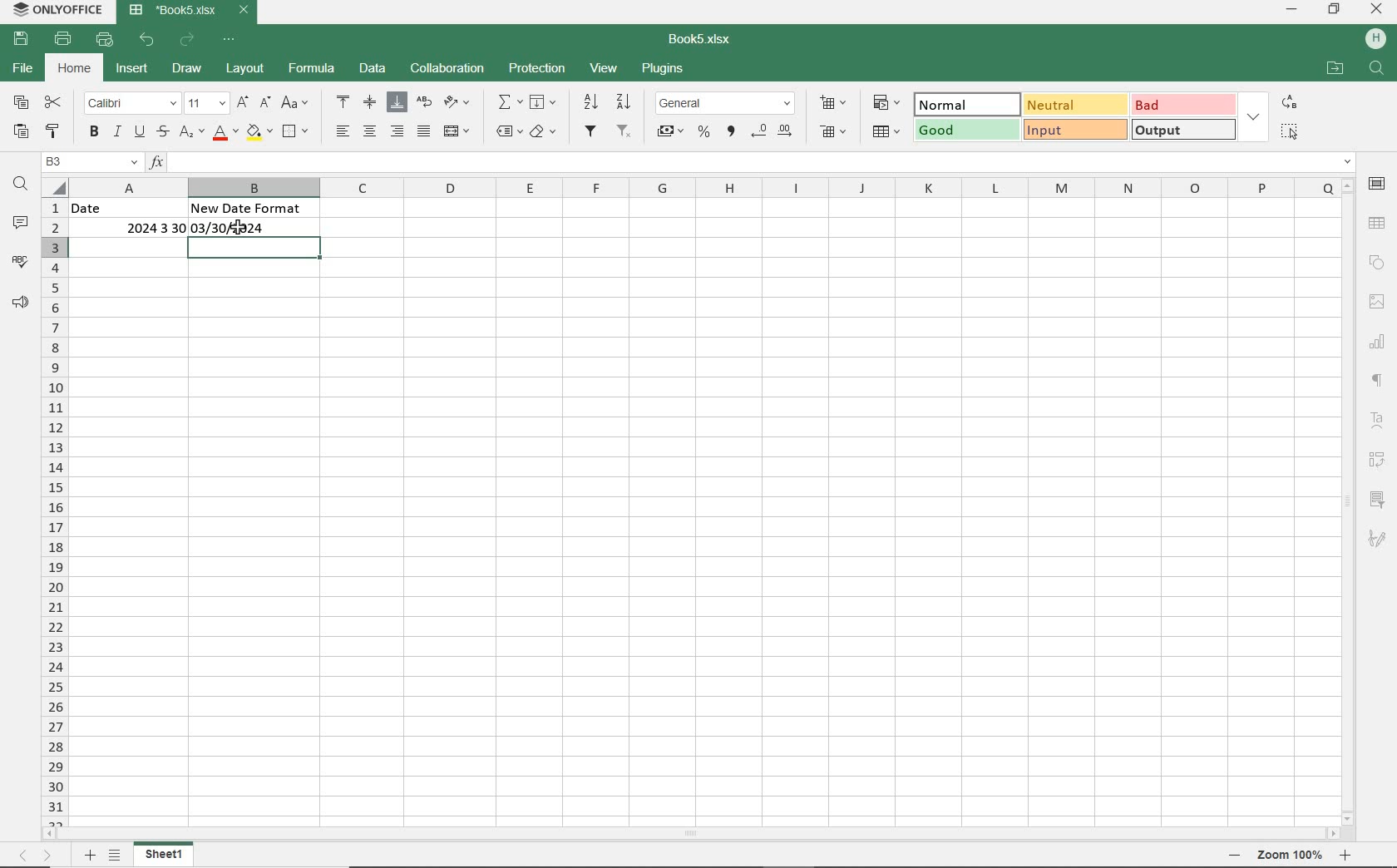 The height and width of the screenshot is (868, 1397). I want to click on SRAW, so click(187, 69).